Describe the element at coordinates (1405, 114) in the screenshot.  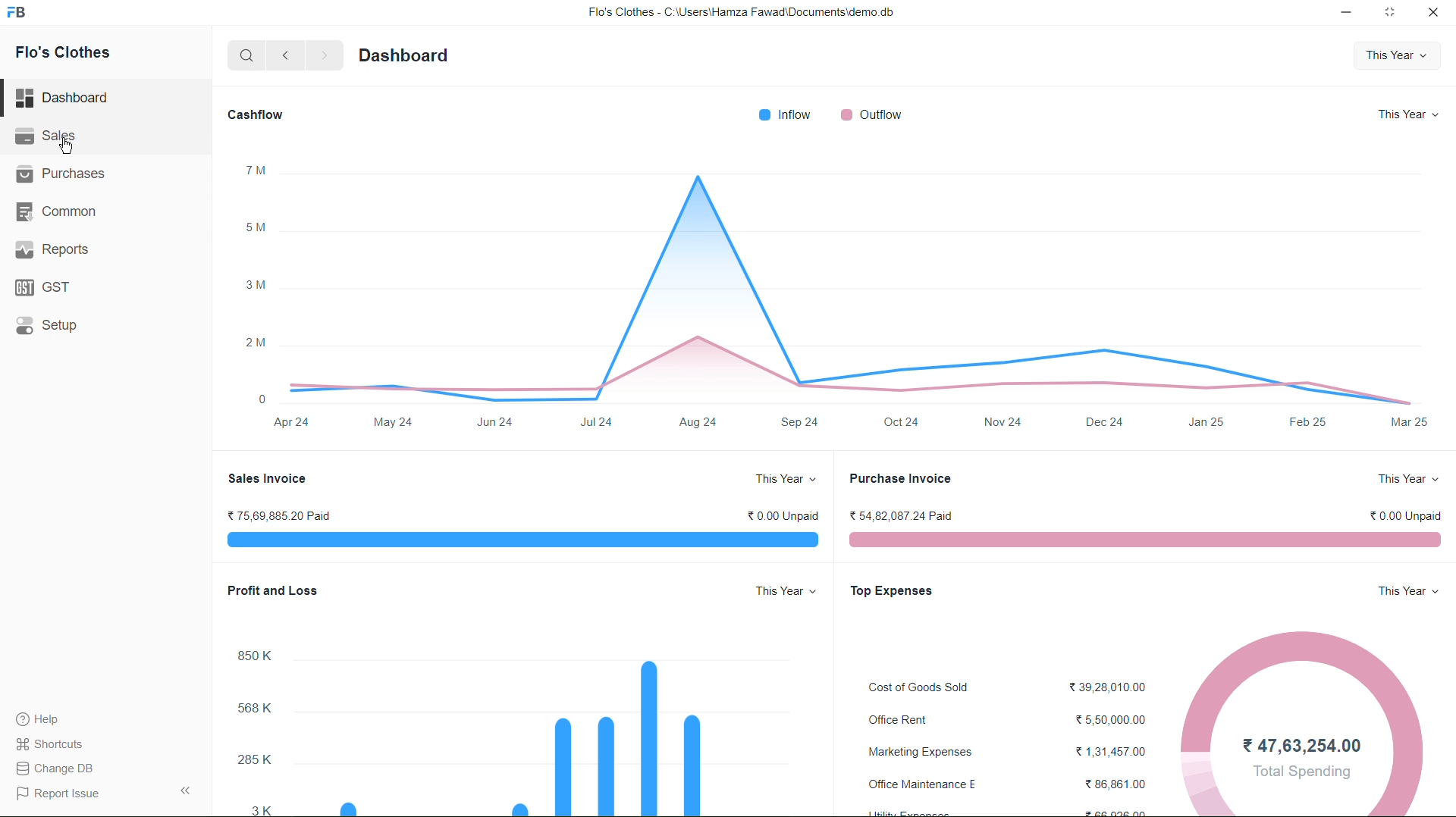
I see `This year` at that location.